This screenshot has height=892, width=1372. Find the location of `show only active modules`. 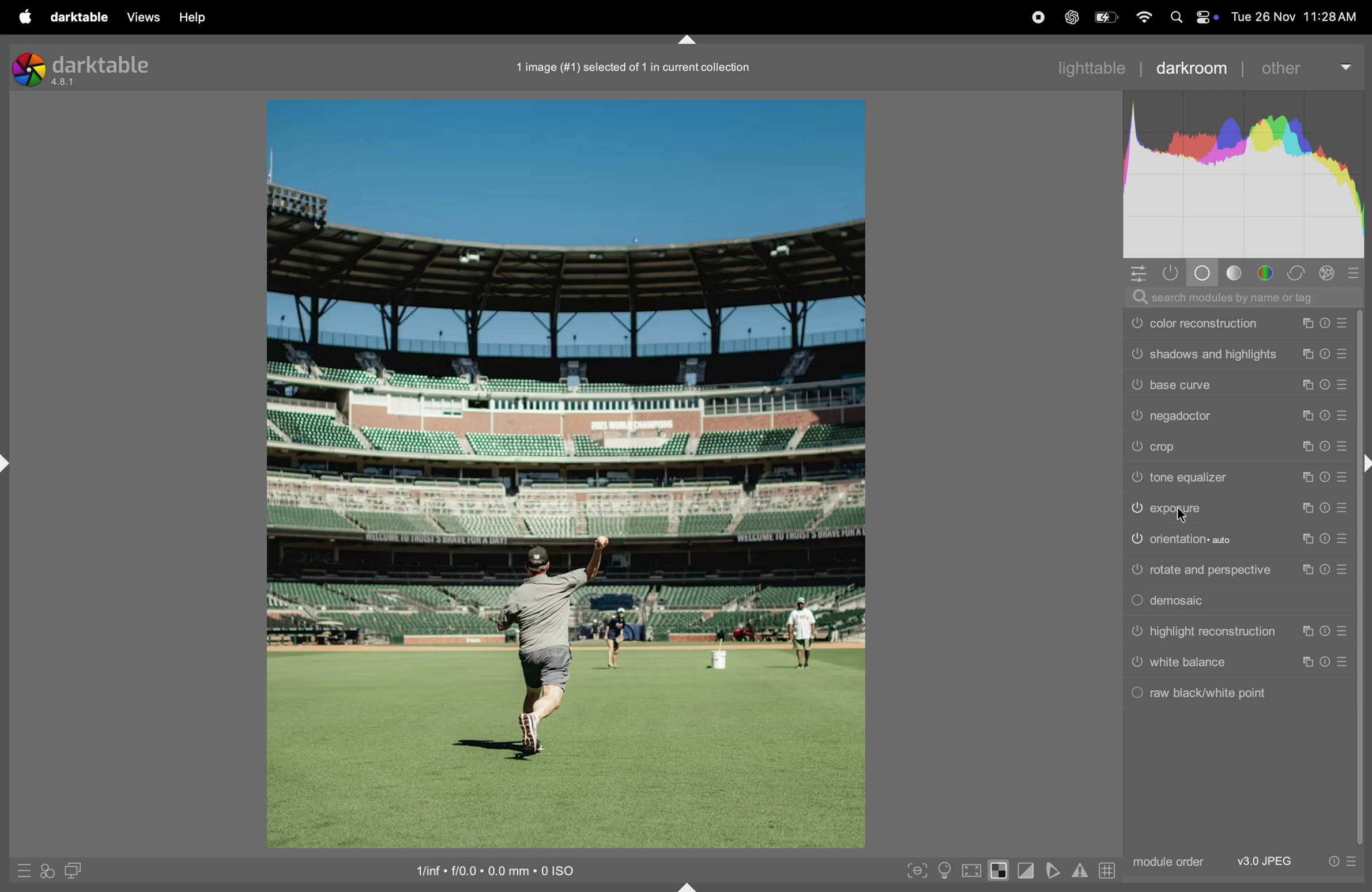

show only active modules is located at coordinates (1175, 273).